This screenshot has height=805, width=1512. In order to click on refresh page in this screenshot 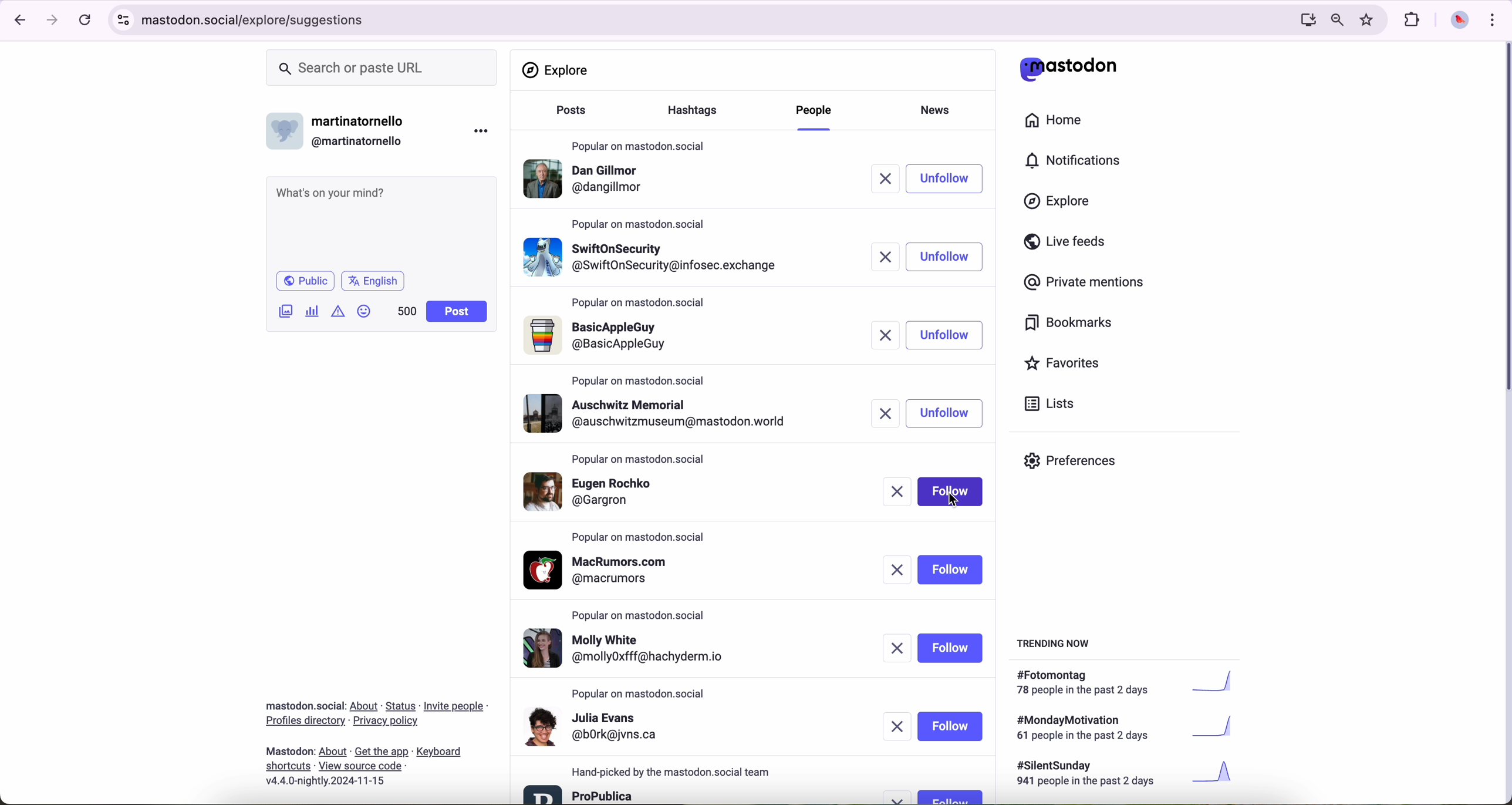, I will do `click(86, 21)`.